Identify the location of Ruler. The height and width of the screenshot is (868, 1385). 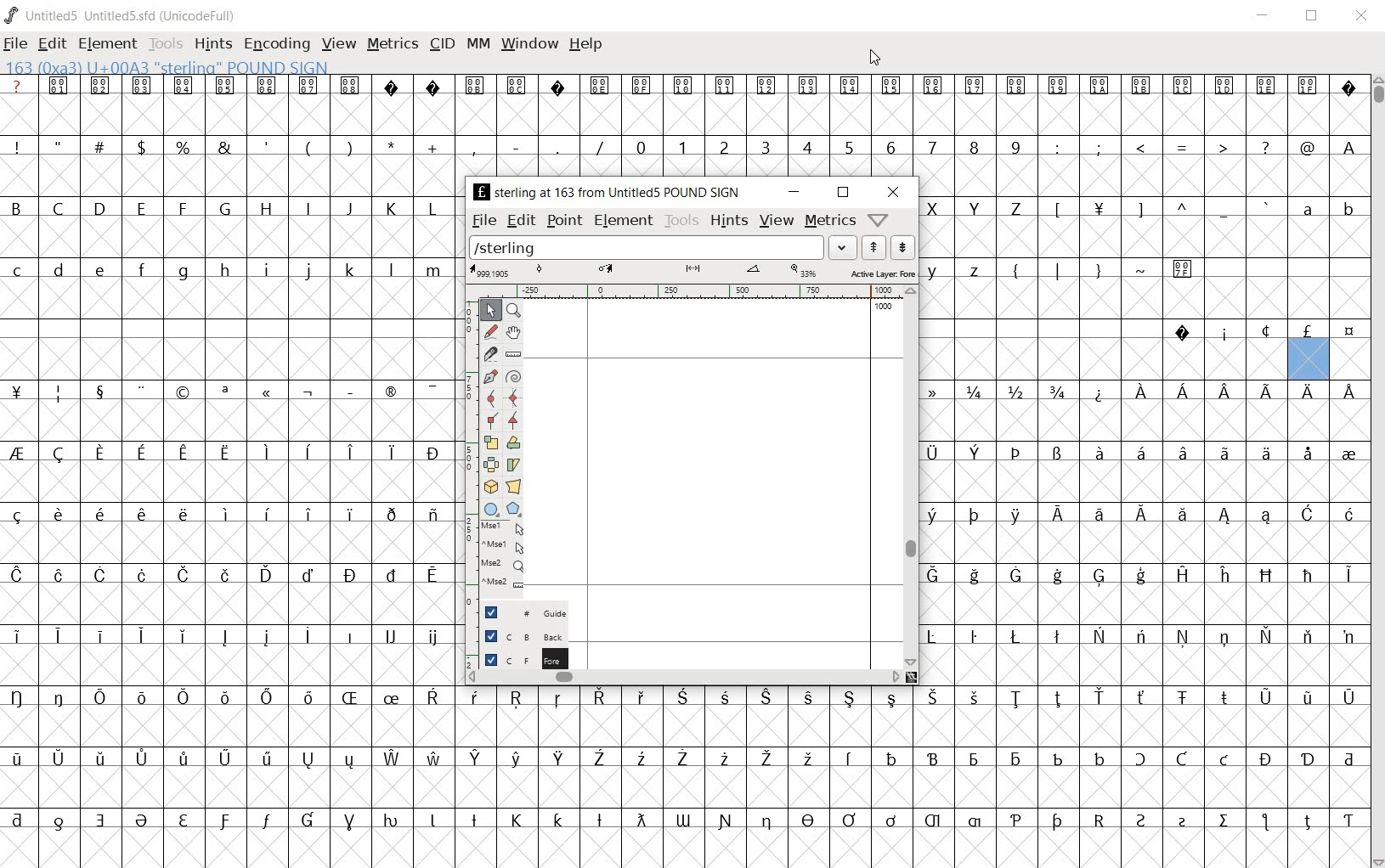
(513, 355).